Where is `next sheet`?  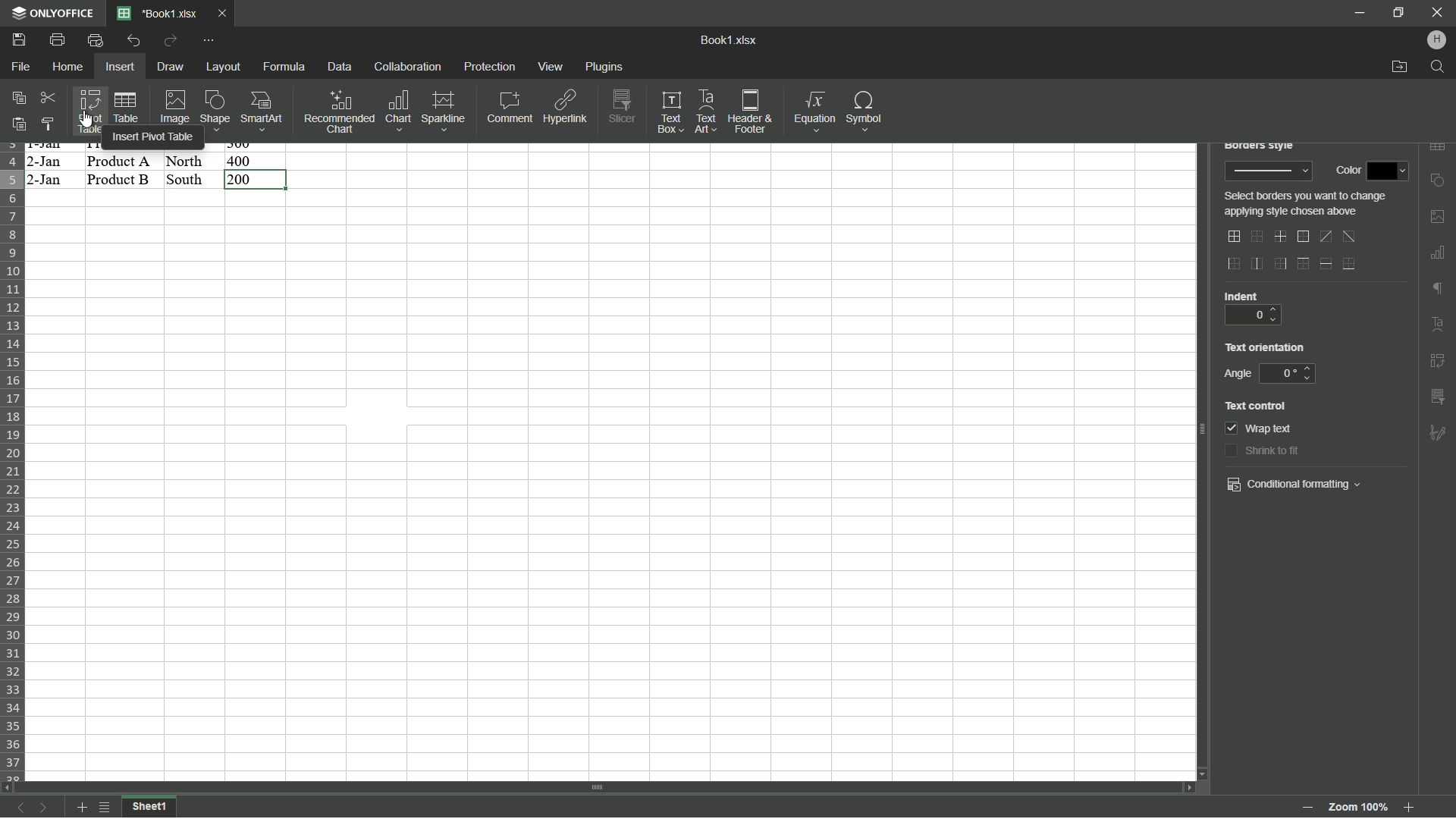
next sheet is located at coordinates (47, 808).